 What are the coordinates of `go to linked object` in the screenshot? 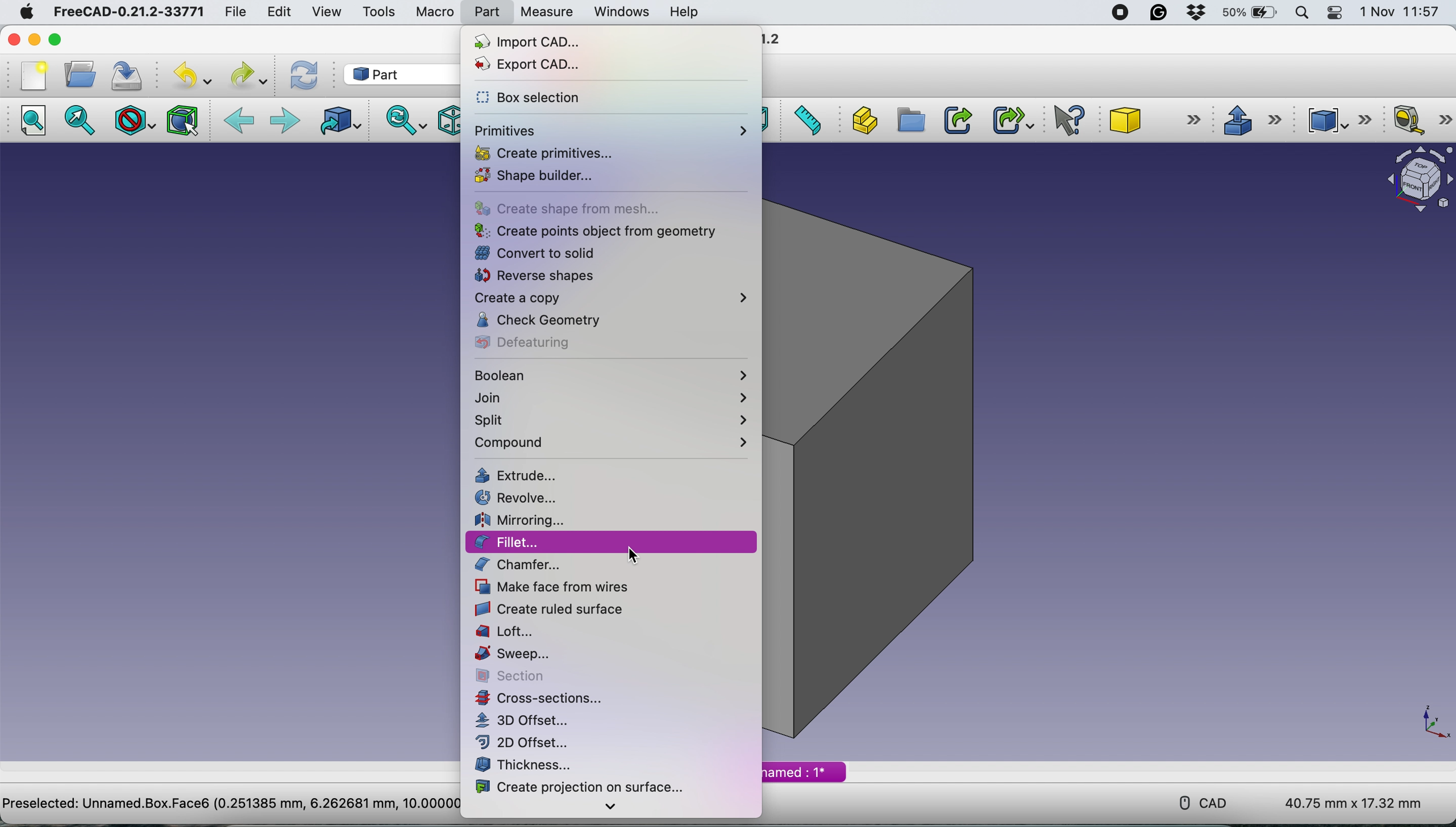 It's located at (338, 123).